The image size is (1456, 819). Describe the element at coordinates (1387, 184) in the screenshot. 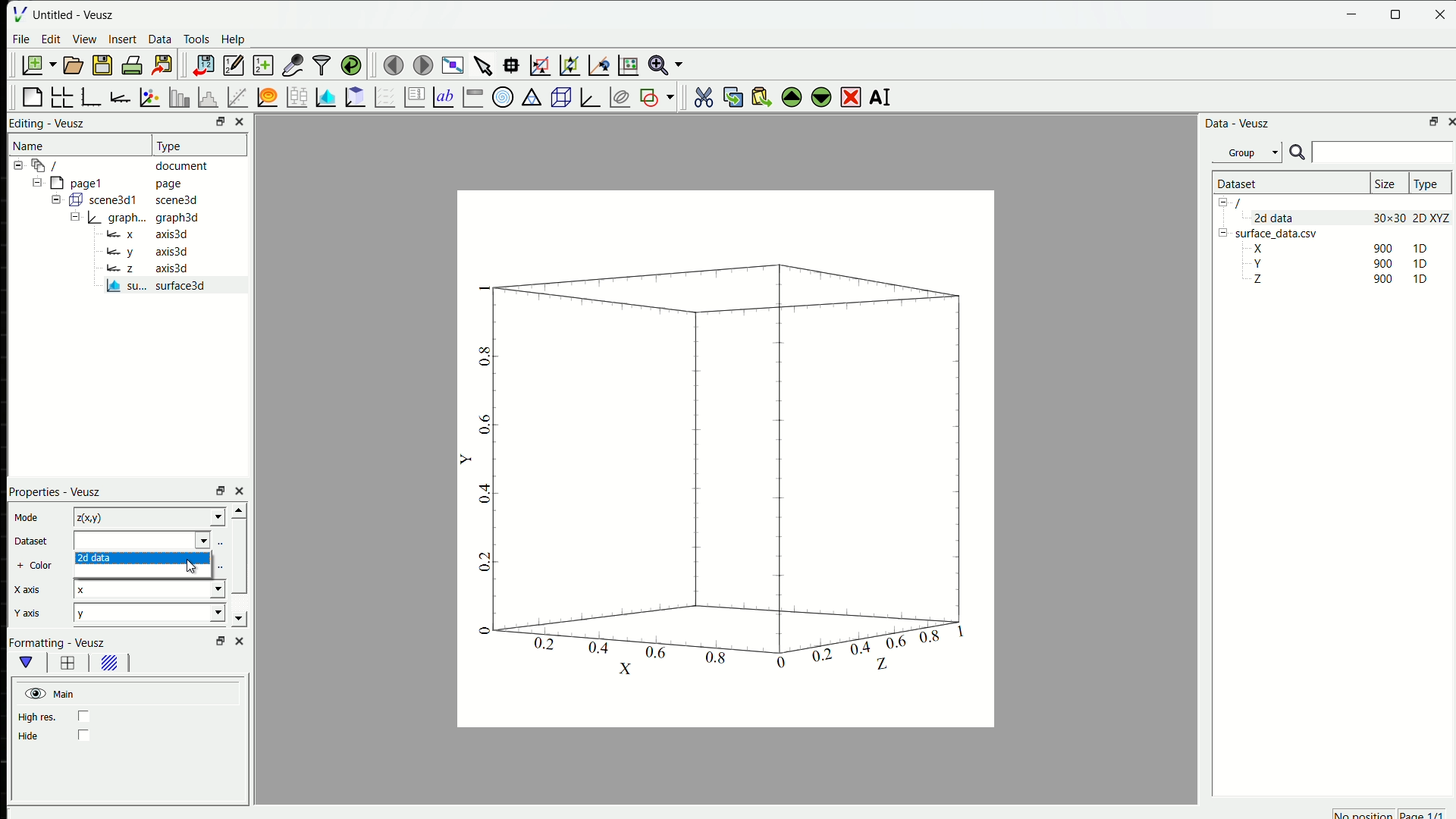

I see `Size` at that location.